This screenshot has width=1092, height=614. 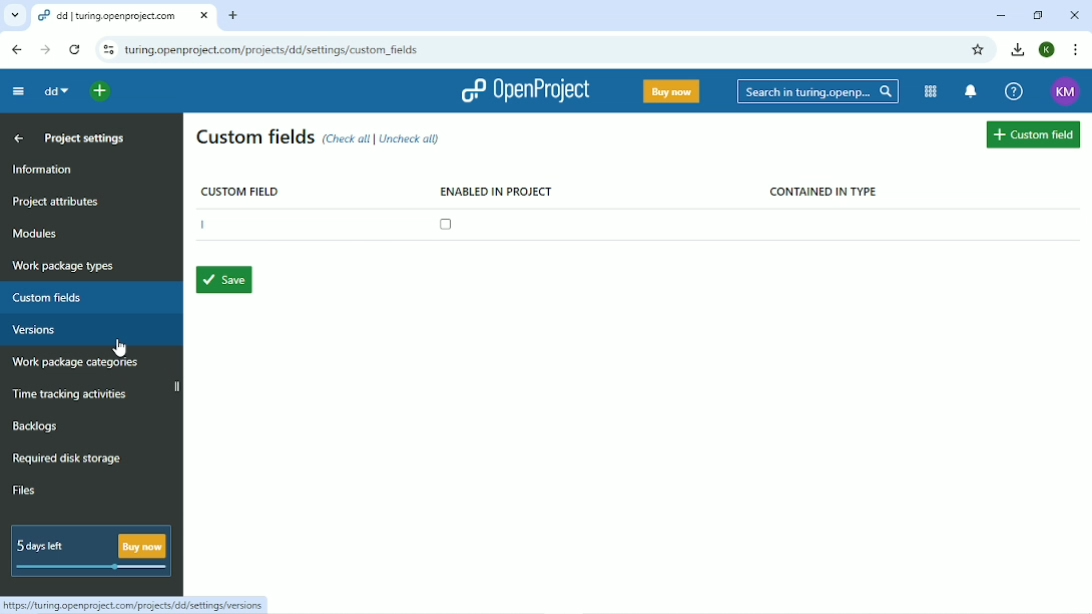 I want to click on Modules, so click(x=930, y=91).